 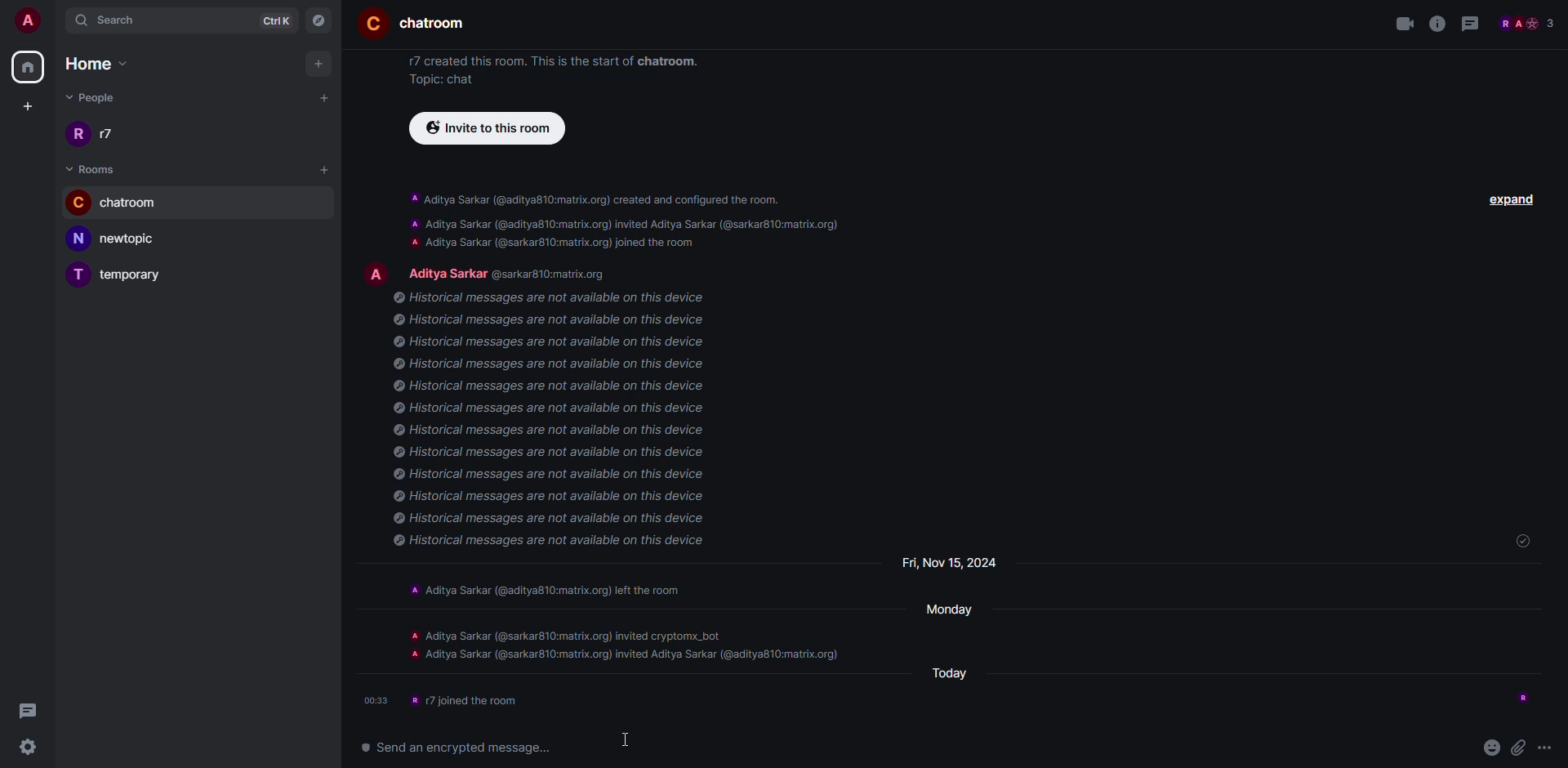 What do you see at coordinates (125, 274) in the screenshot?
I see `temporary` at bounding box center [125, 274].